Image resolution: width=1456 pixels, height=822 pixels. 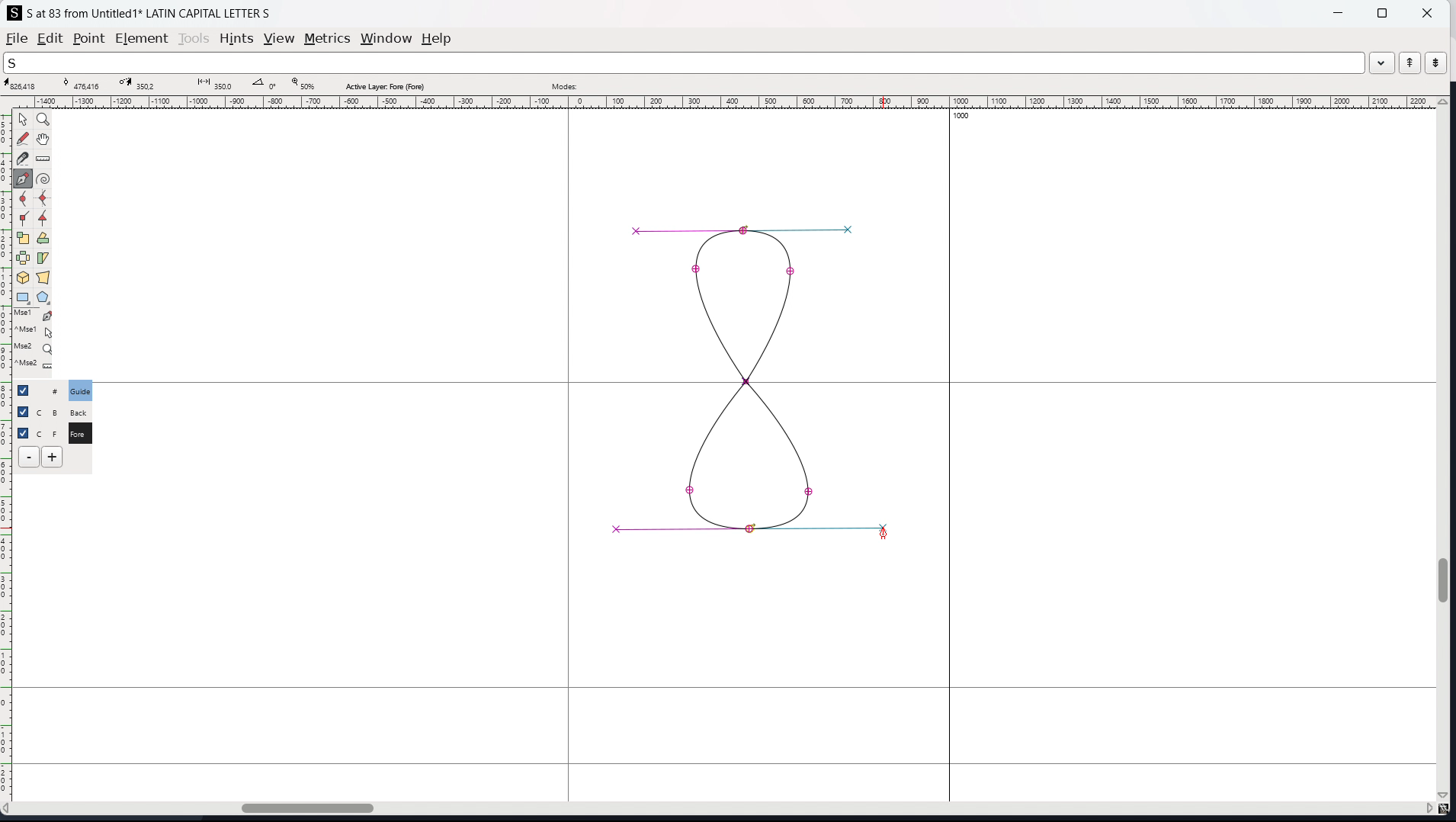 I want to click on maximize, so click(x=1382, y=12).